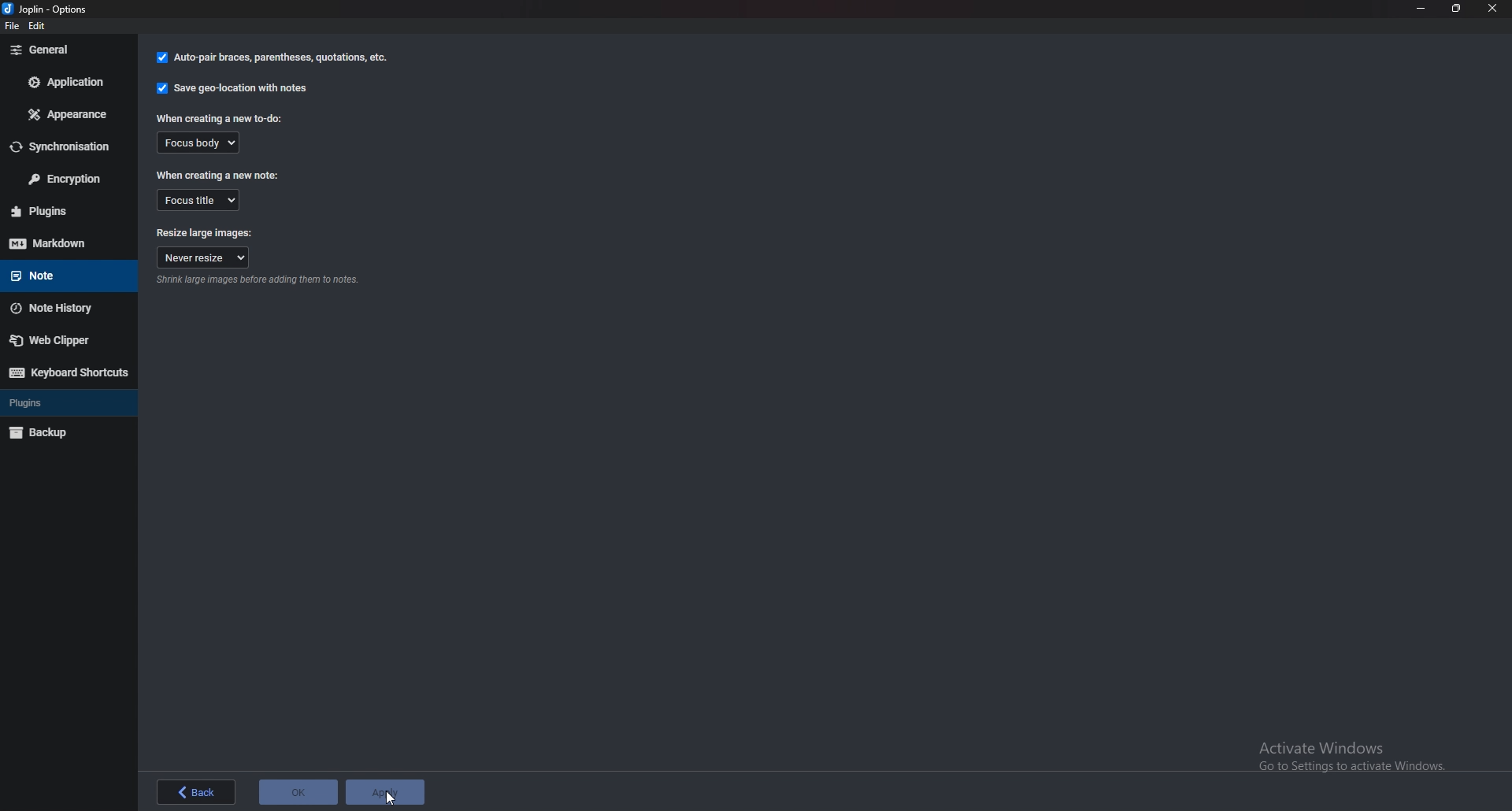 This screenshot has width=1512, height=811. I want to click on close, so click(1493, 9).